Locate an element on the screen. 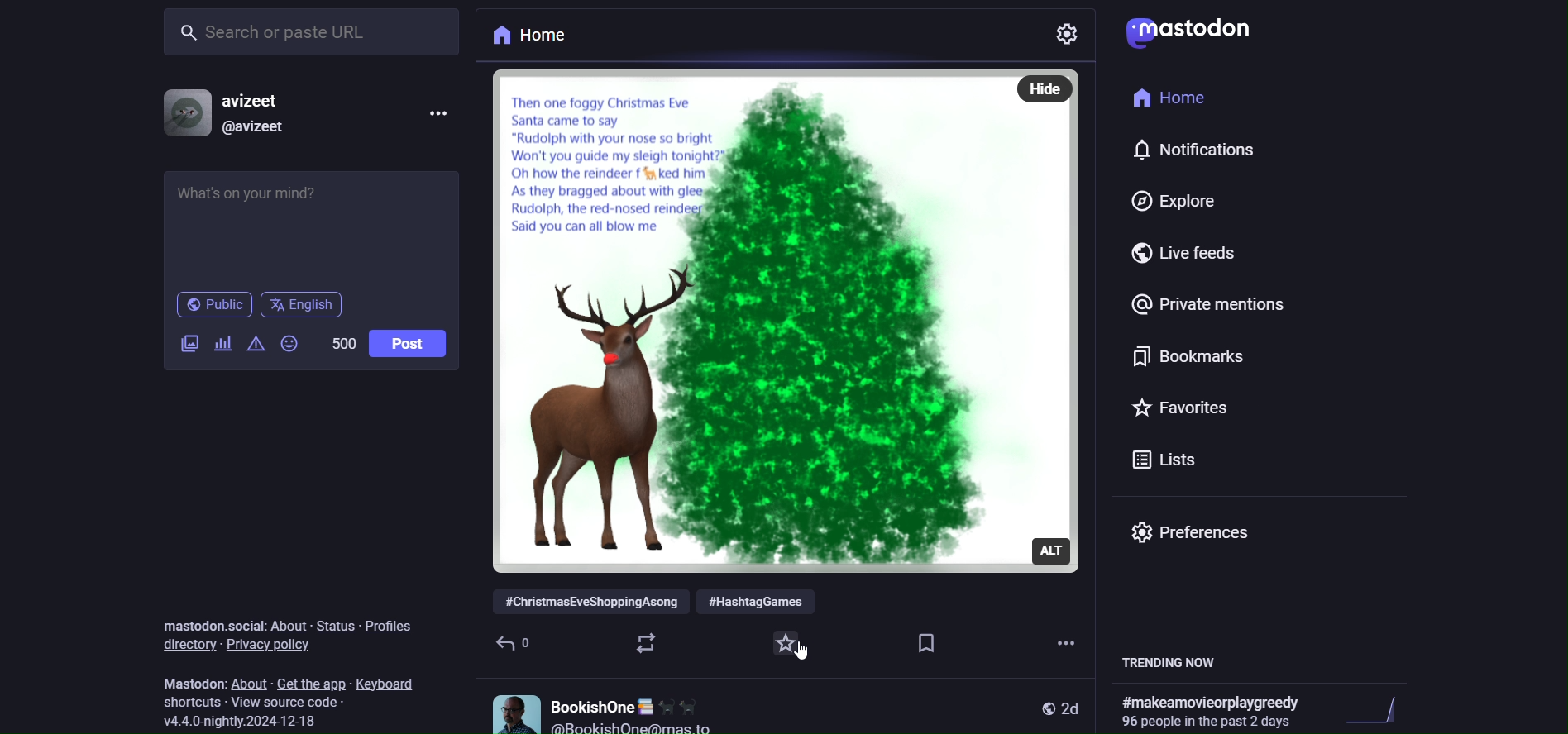 Image resolution: width=1568 pixels, height=734 pixels. favorite is located at coordinates (783, 641).